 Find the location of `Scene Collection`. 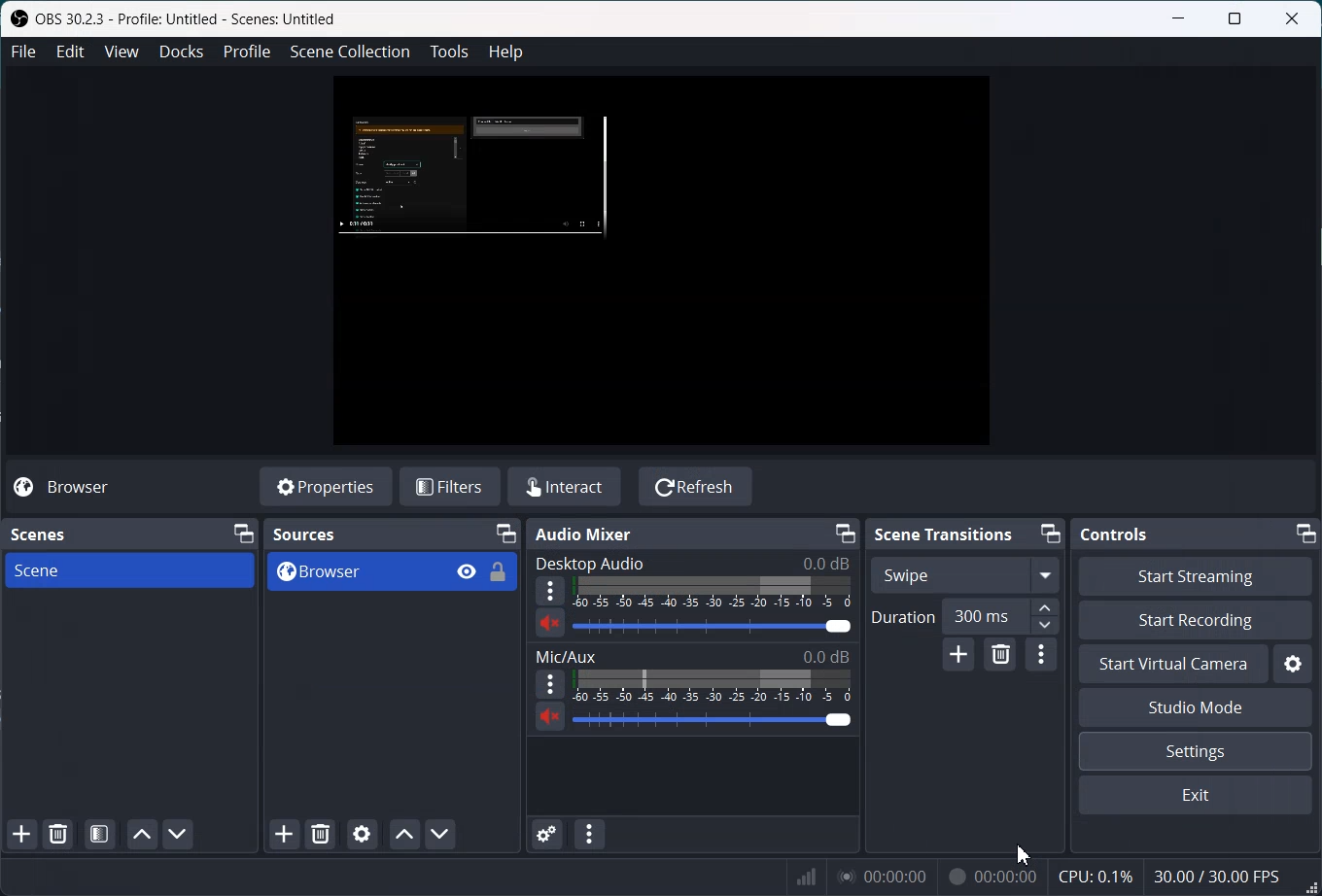

Scene Collection is located at coordinates (350, 52).